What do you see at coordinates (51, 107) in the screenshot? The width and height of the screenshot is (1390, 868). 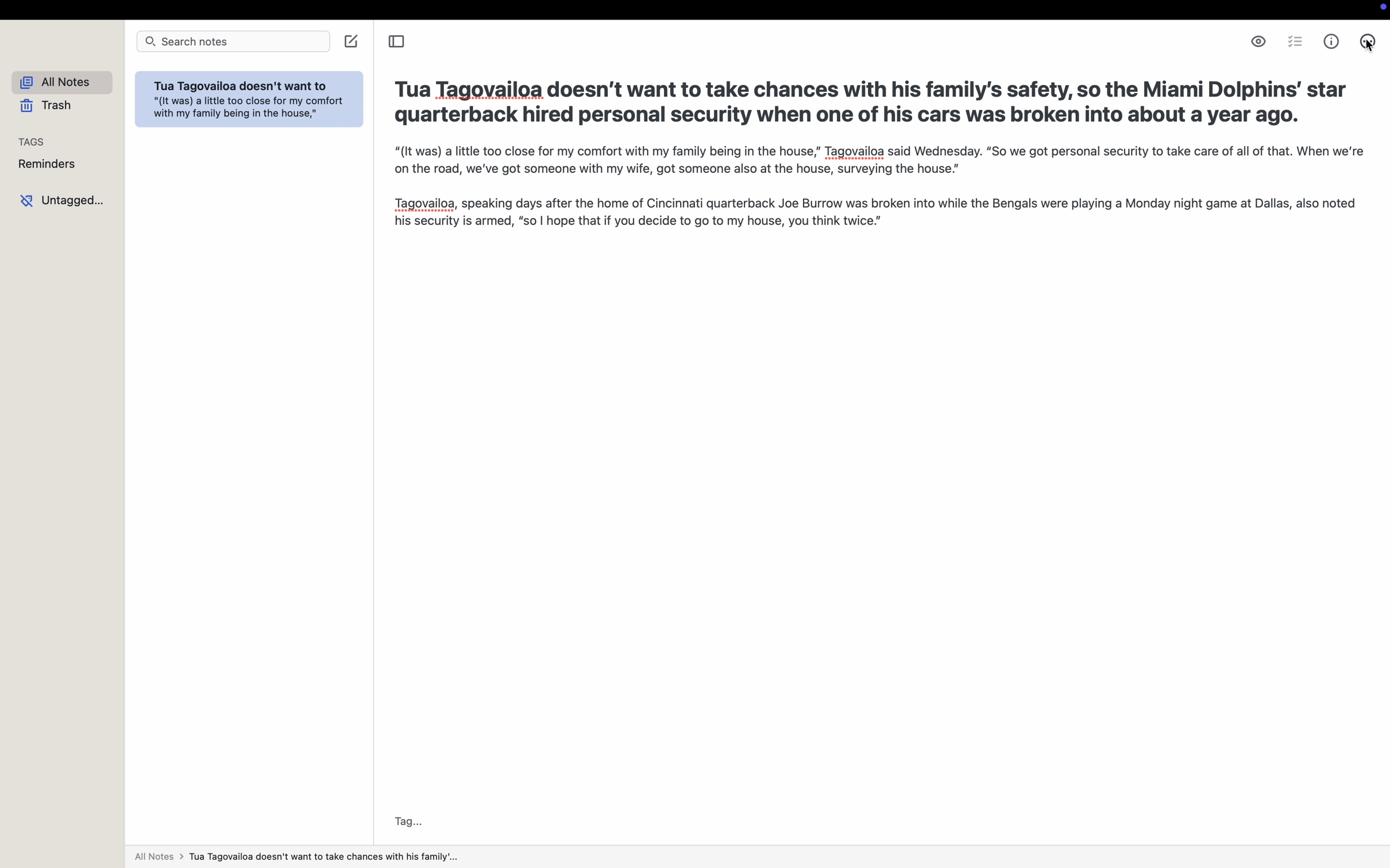 I see `trash` at bounding box center [51, 107].